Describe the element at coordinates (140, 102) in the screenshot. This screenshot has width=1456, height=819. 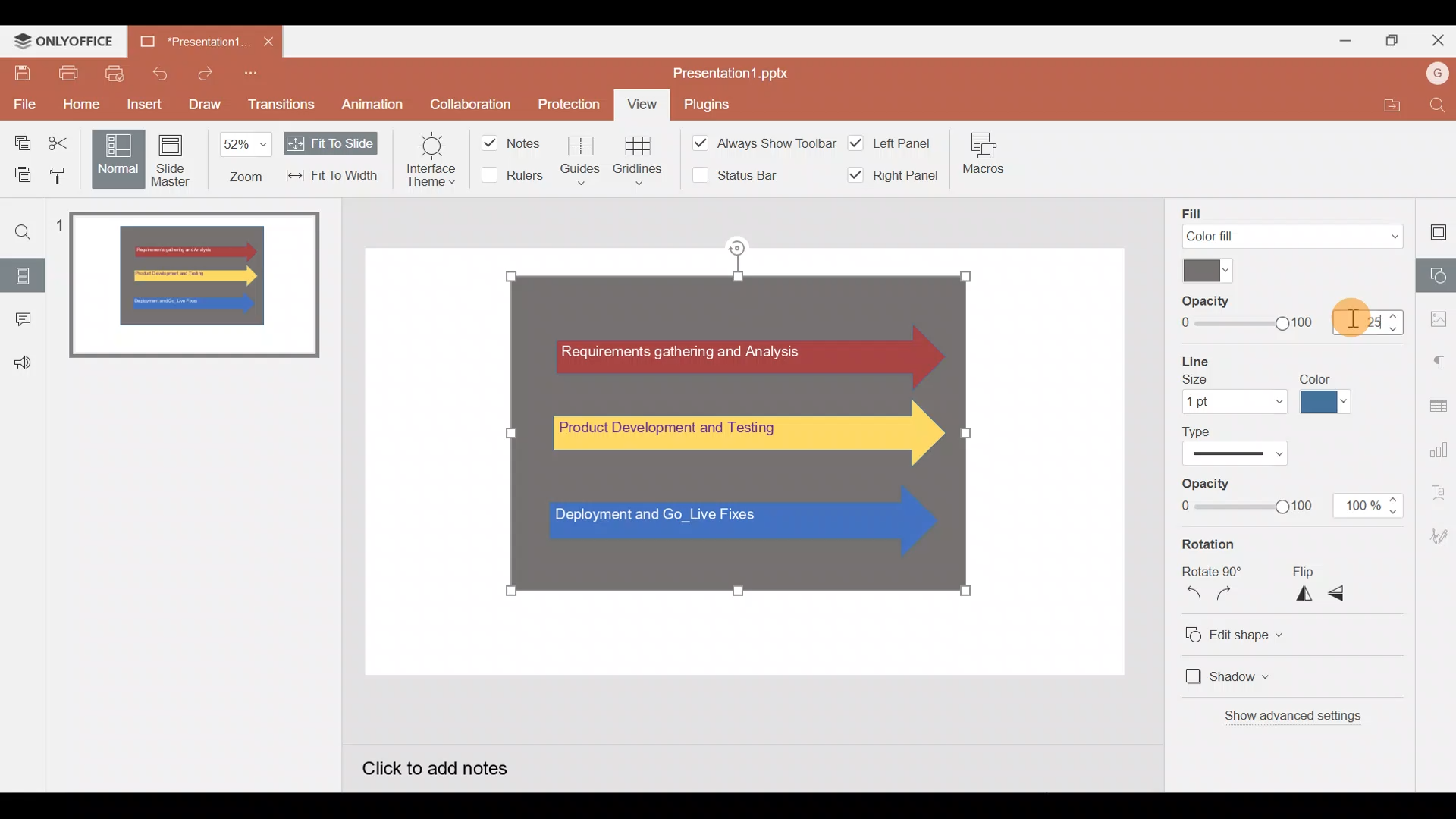
I see `Insert` at that location.